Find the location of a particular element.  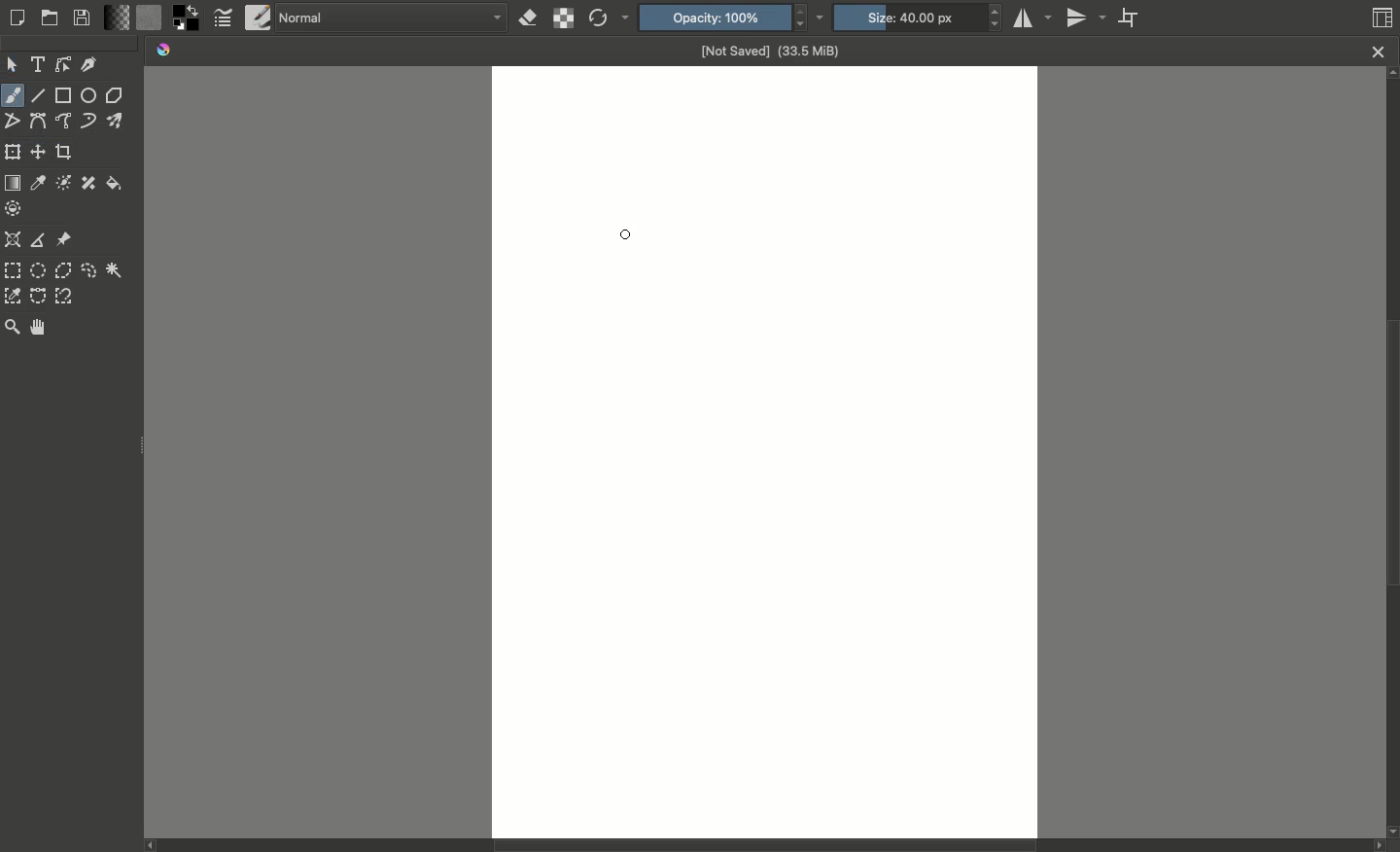

Edit brush settings is located at coordinates (224, 20).